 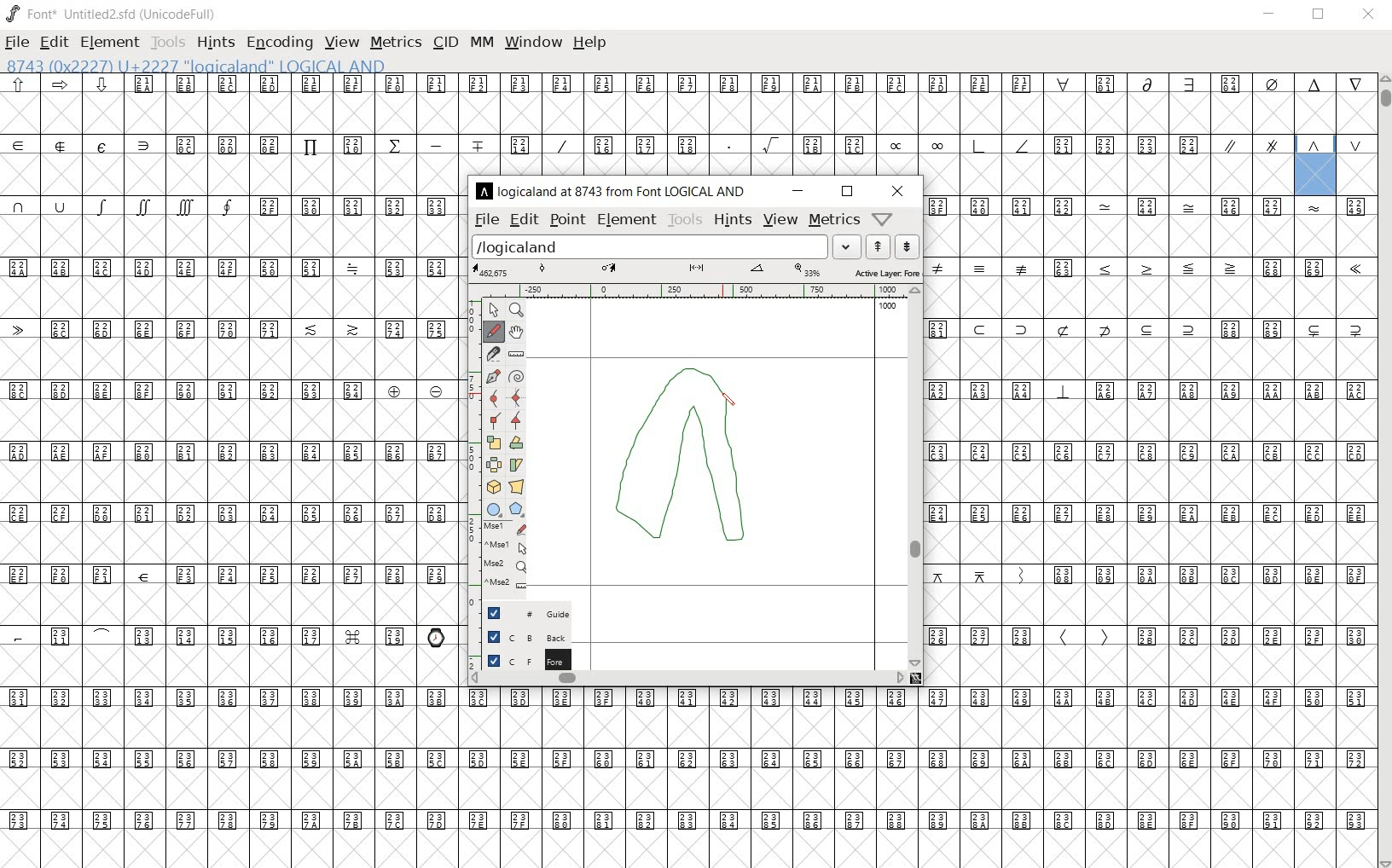 I want to click on scrollbar, so click(x=1383, y=471).